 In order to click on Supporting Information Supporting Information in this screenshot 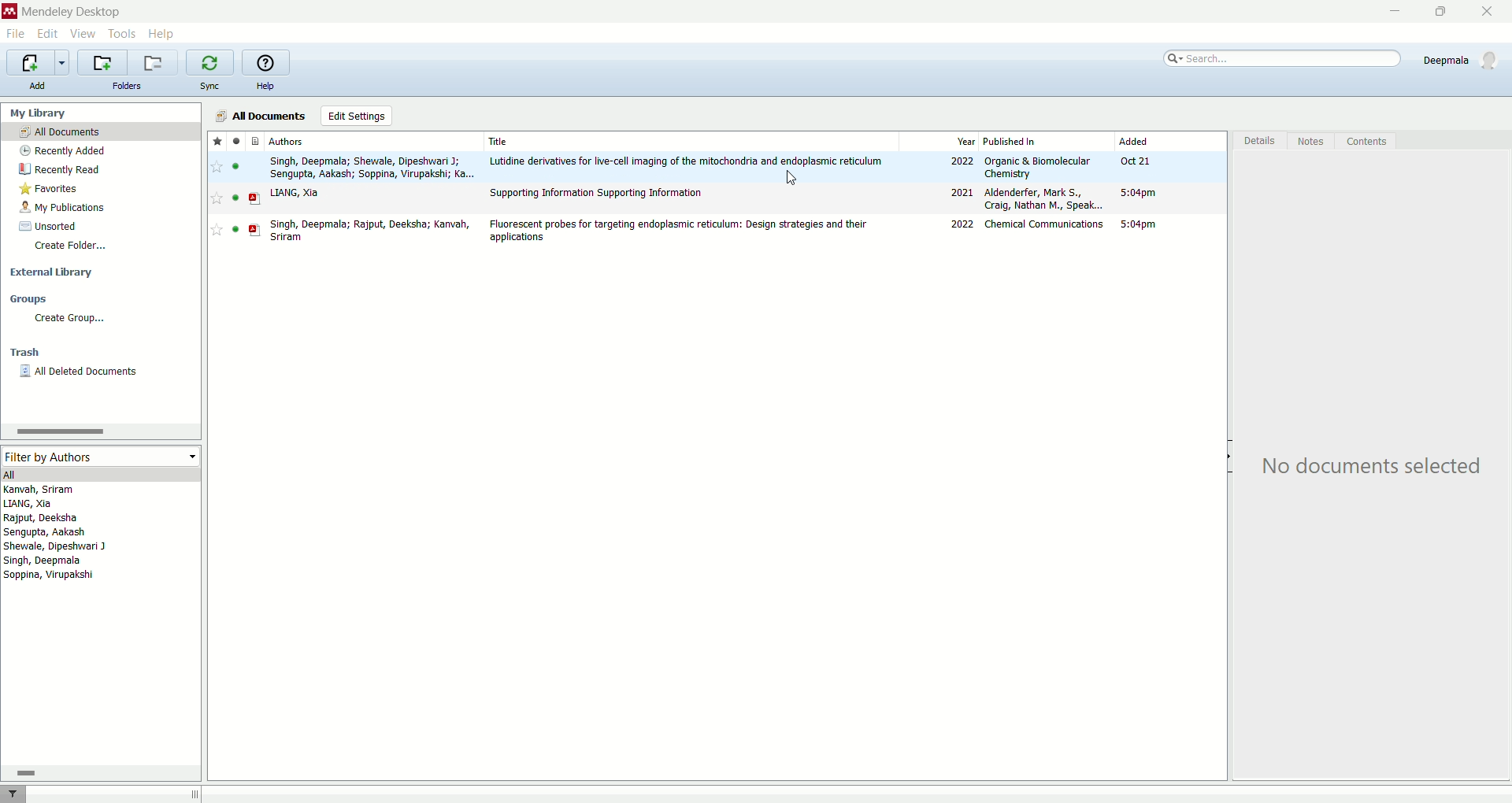, I will do `click(597, 194)`.